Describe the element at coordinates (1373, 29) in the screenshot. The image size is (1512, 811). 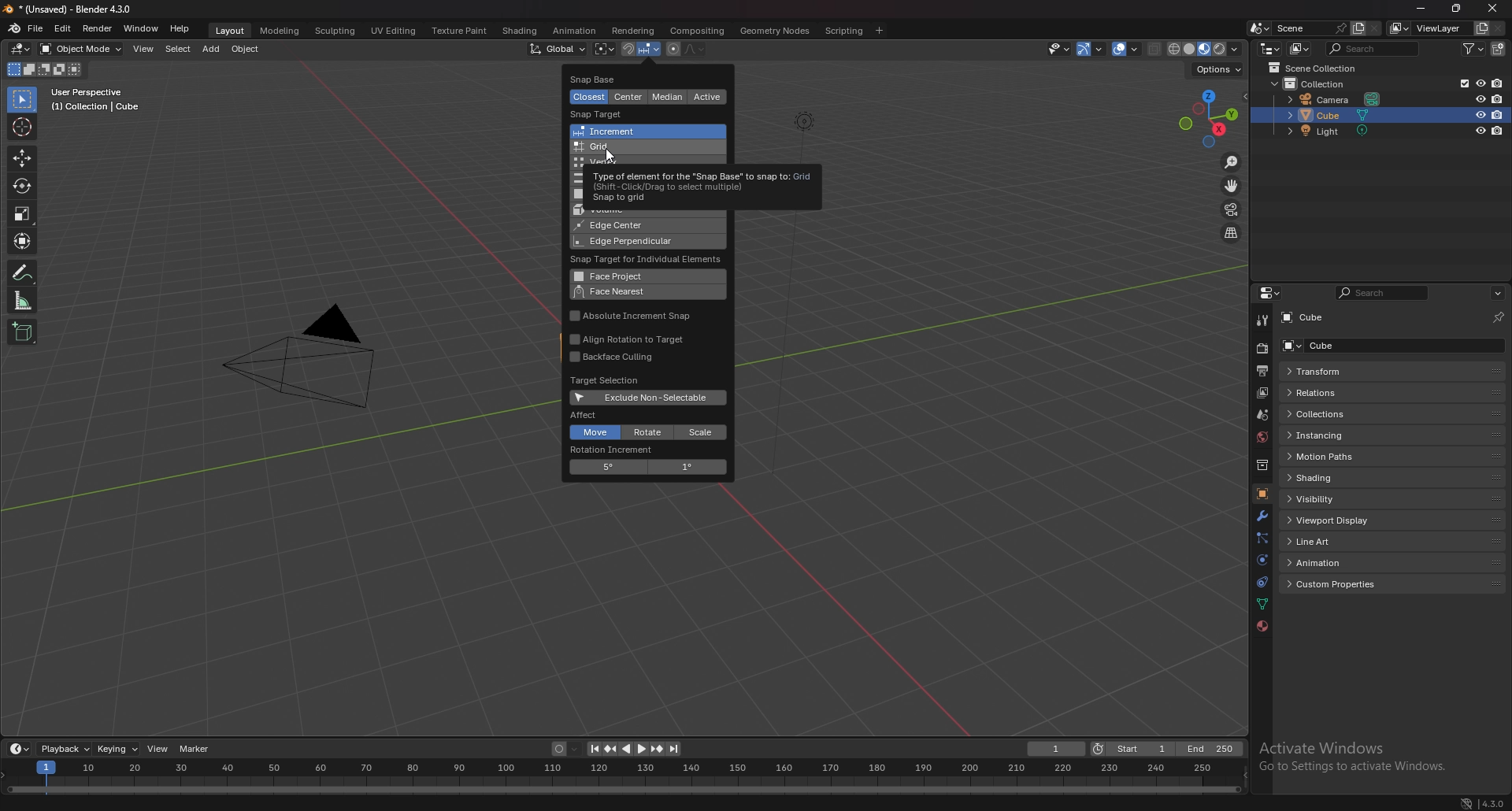
I see `delete scene` at that location.